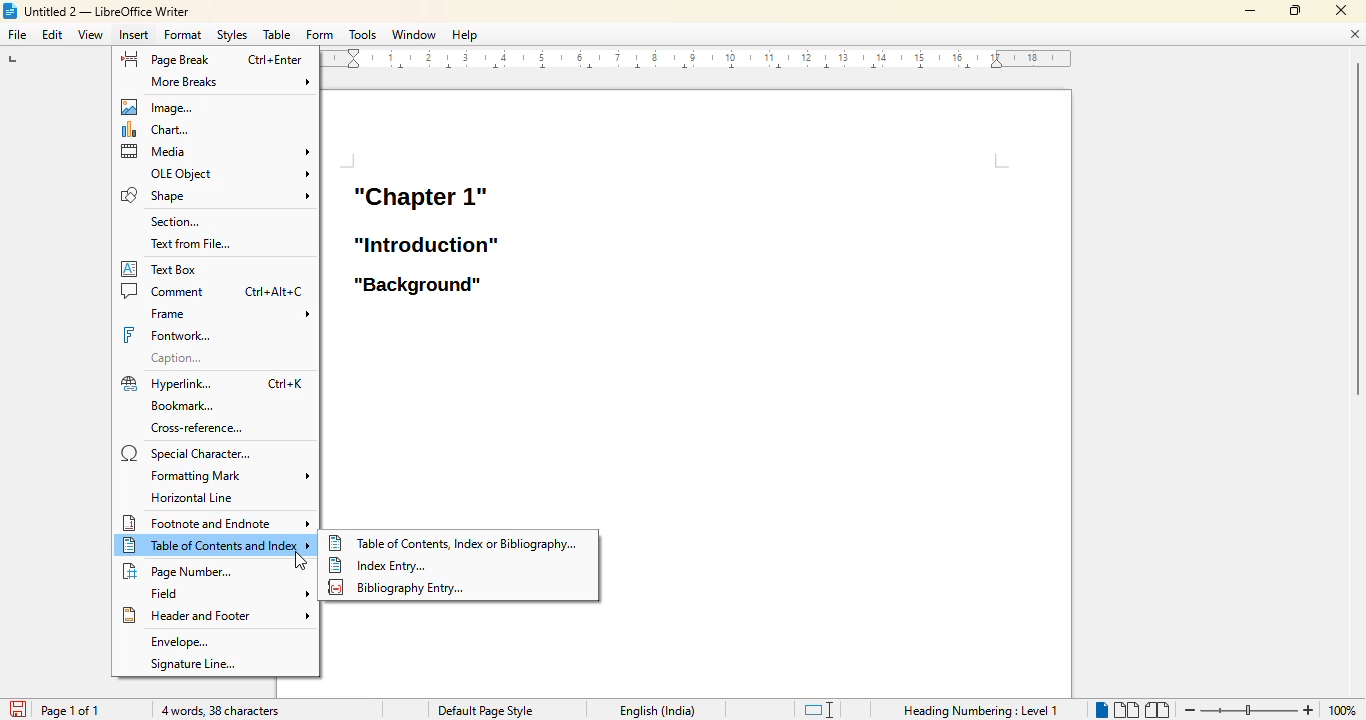 Image resolution: width=1366 pixels, height=720 pixels. What do you see at coordinates (166, 335) in the screenshot?
I see `fontwork` at bounding box center [166, 335].